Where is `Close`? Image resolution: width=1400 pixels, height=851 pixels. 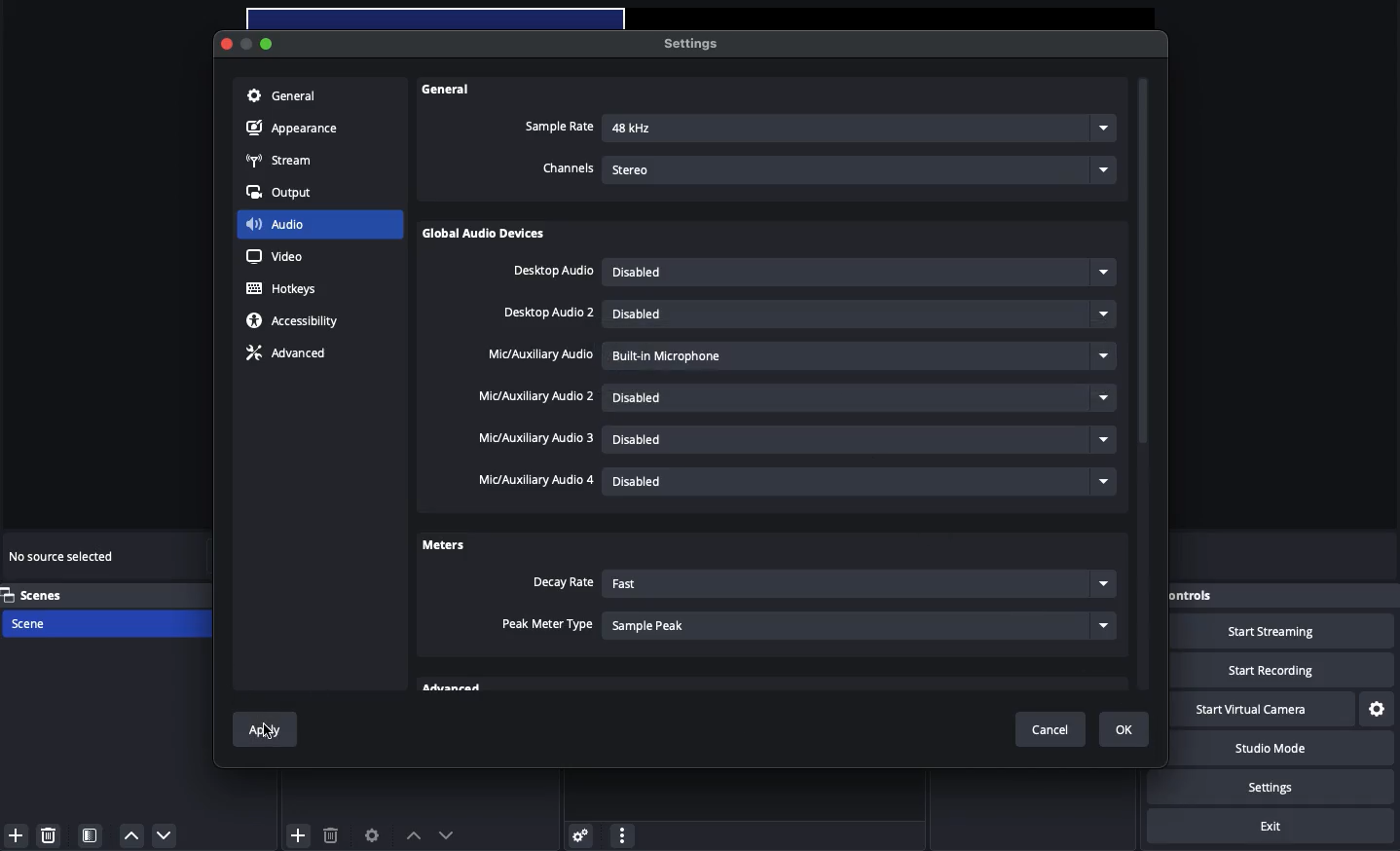
Close is located at coordinates (228, 45).